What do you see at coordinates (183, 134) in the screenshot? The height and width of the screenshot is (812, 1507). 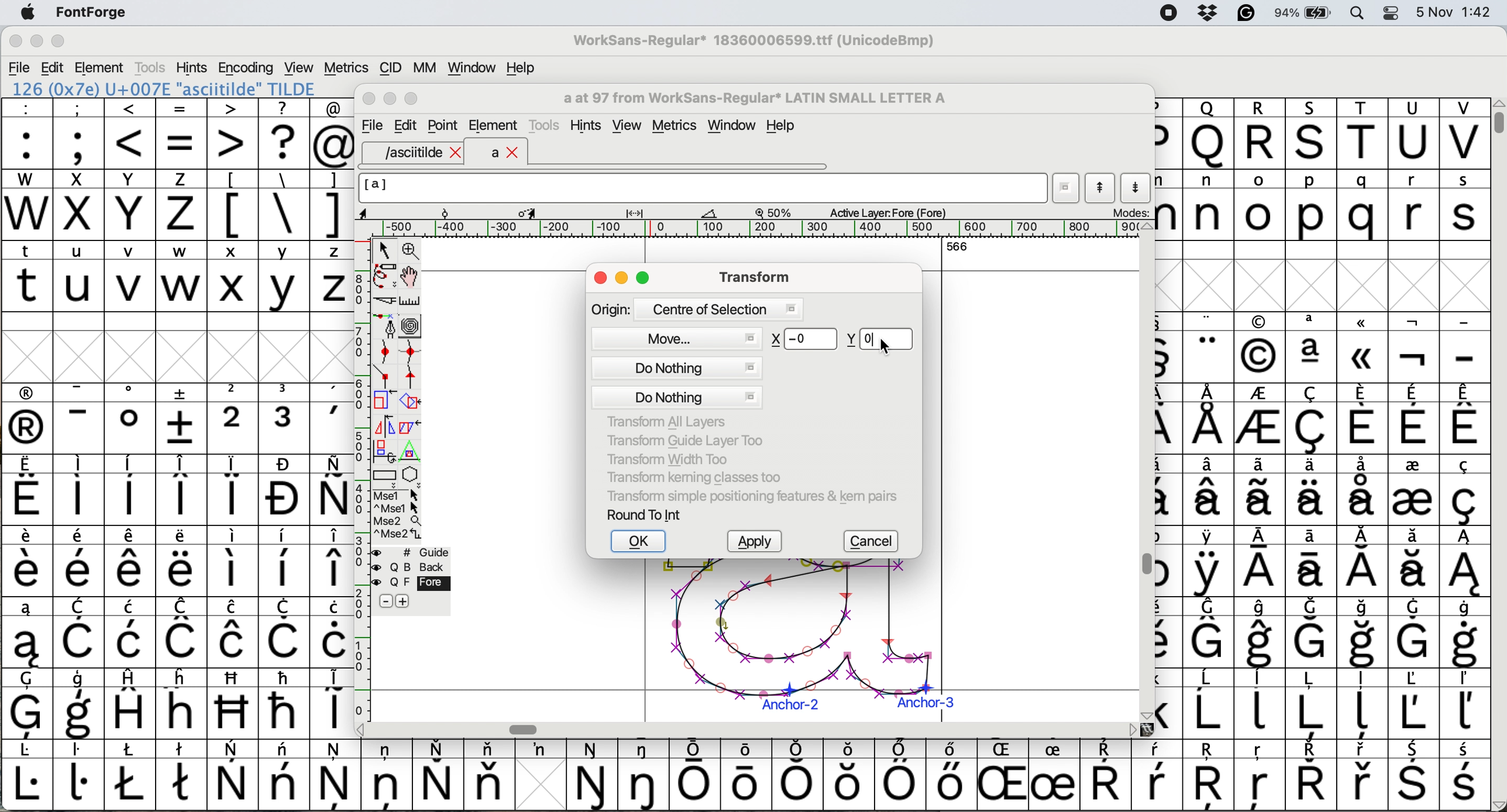 I see `=` at bounding box center [183, 134].